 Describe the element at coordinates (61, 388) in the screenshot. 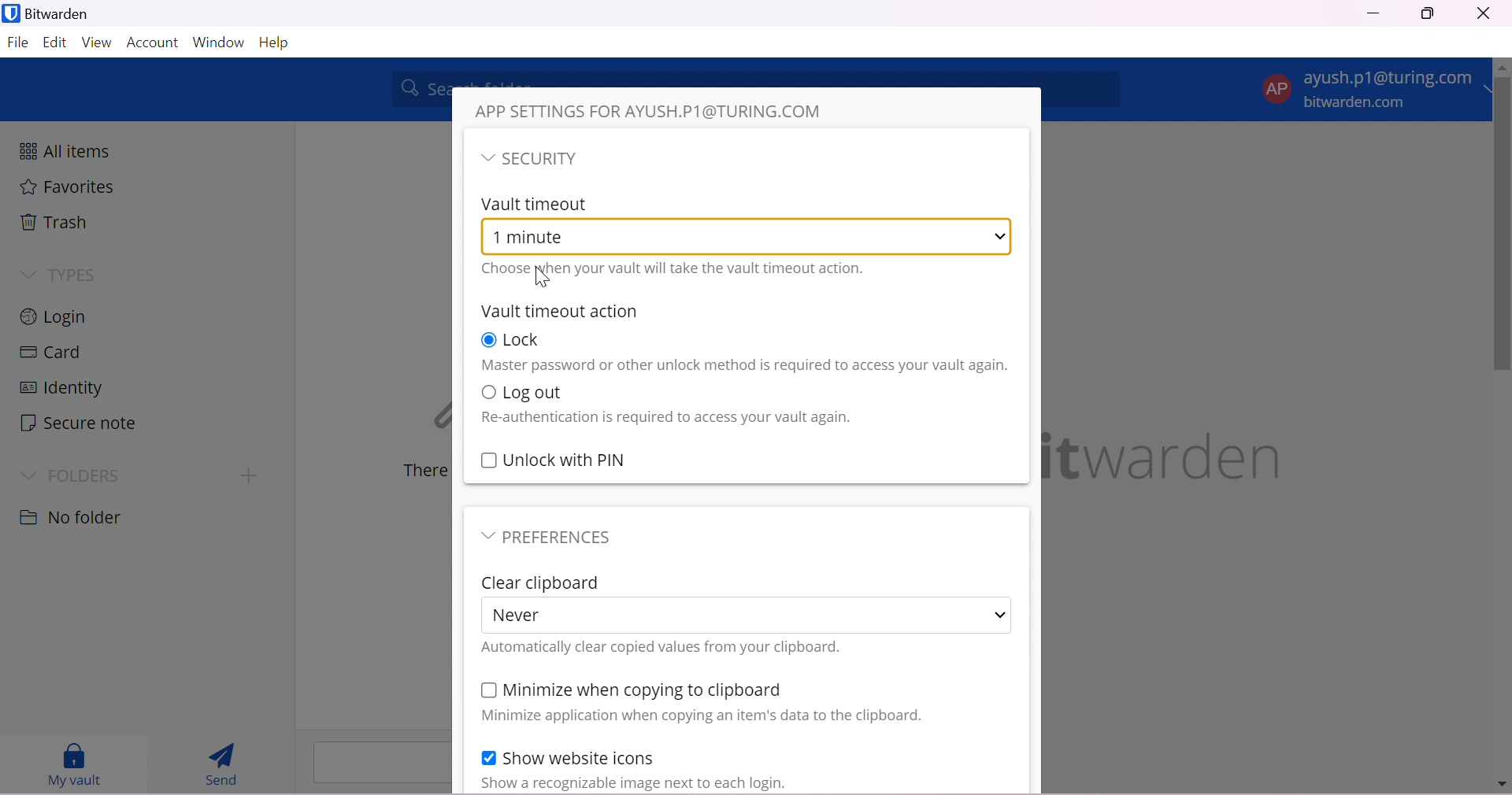

I see `Identity` at that location.